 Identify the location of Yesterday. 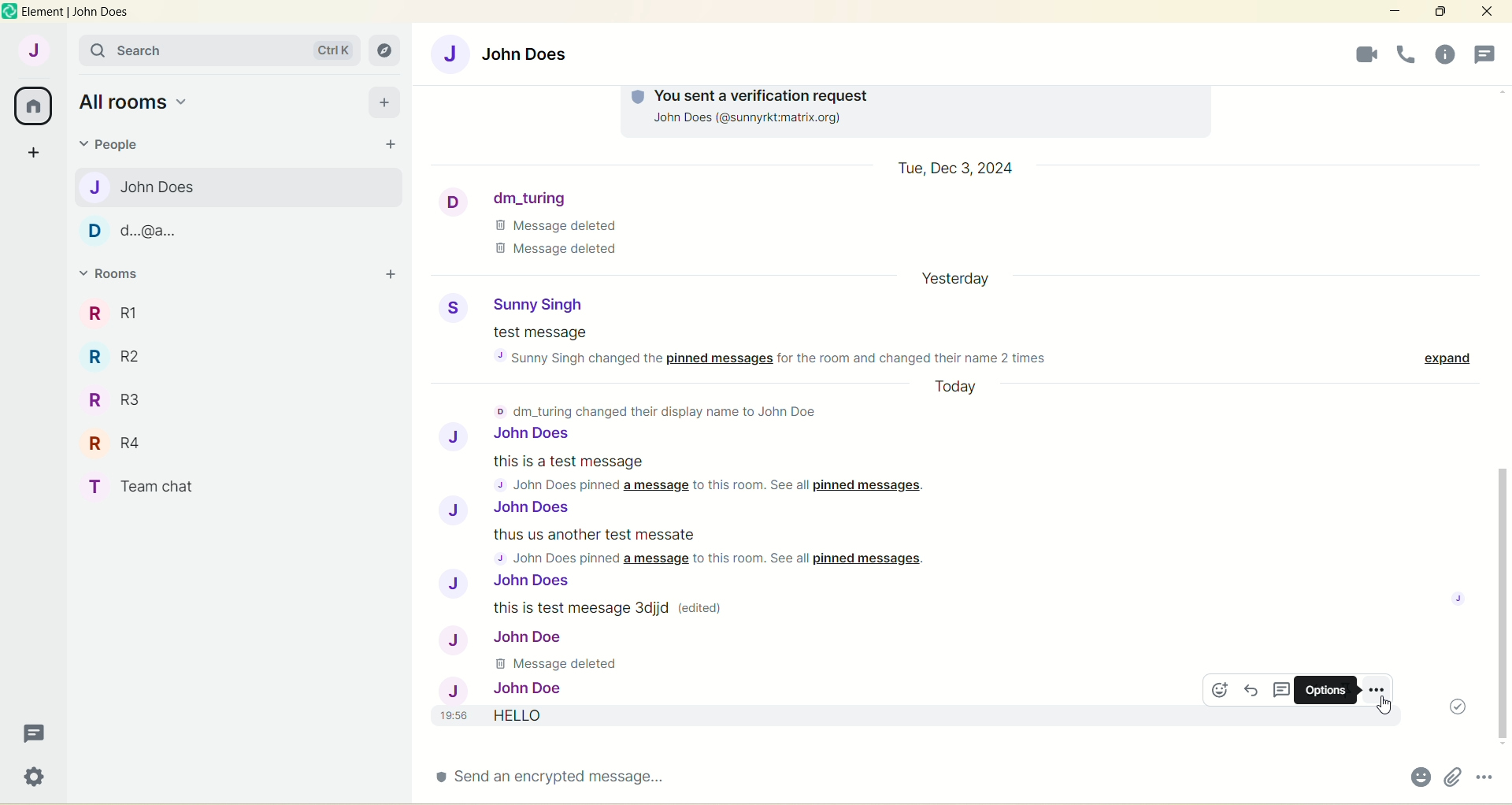
(962, 283).